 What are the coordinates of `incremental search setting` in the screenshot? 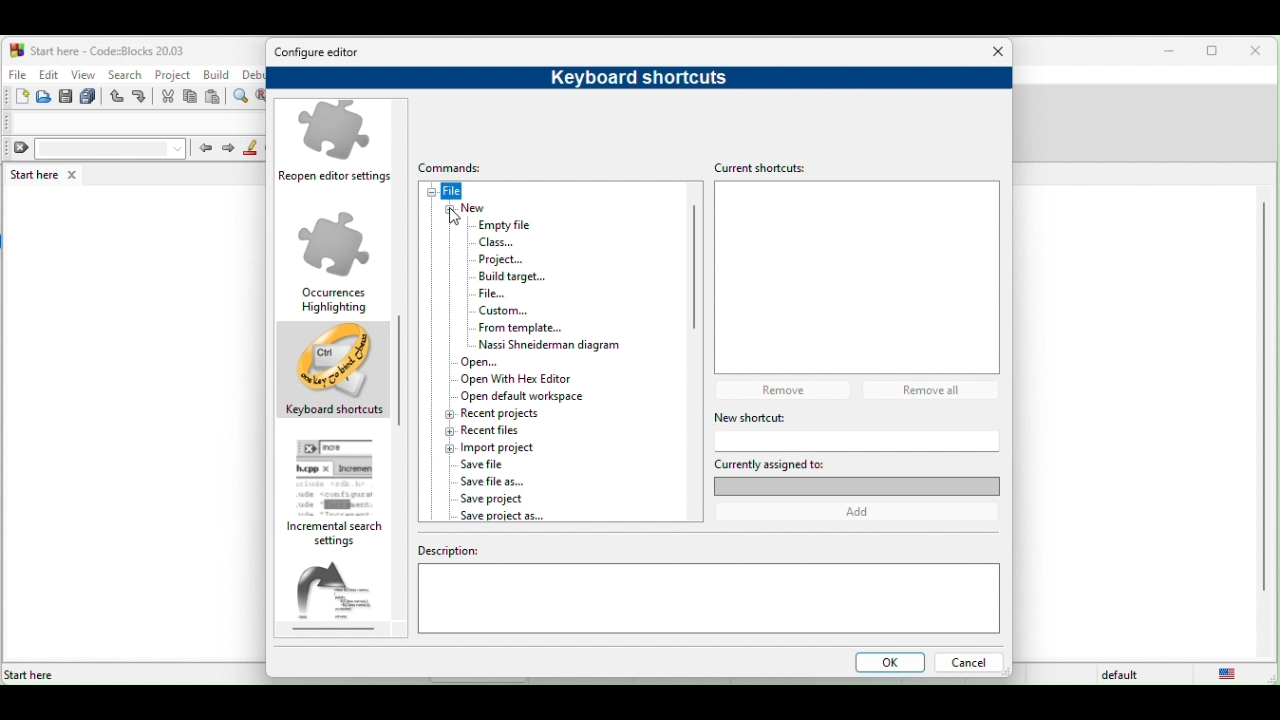 It's located at (341, 493).